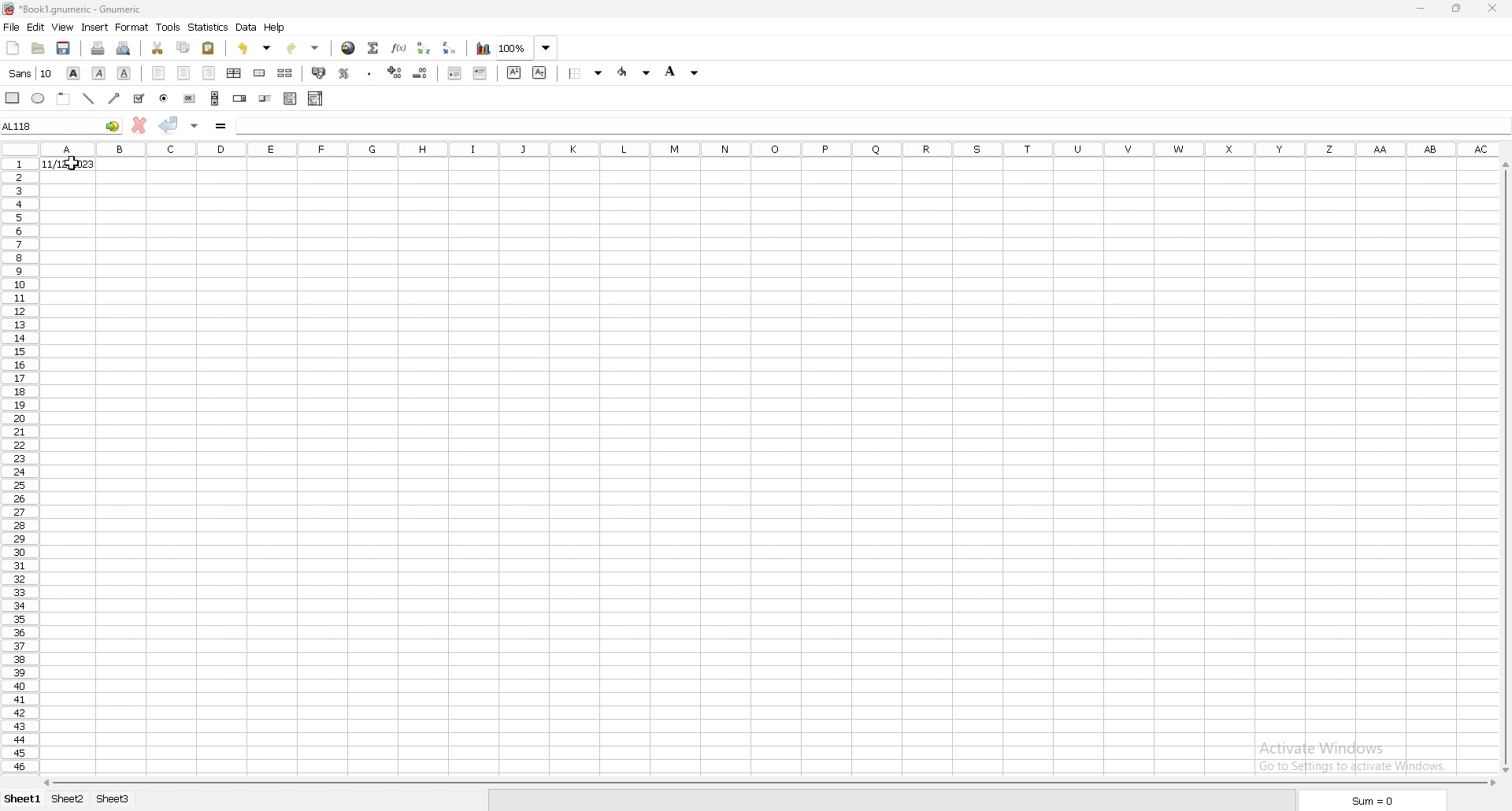 The height and width of the screenshot is (811, 1512). What do you see at coordinates (344, 73) in the screenshot?
I see `percentage` at bounding box center [344, 73].